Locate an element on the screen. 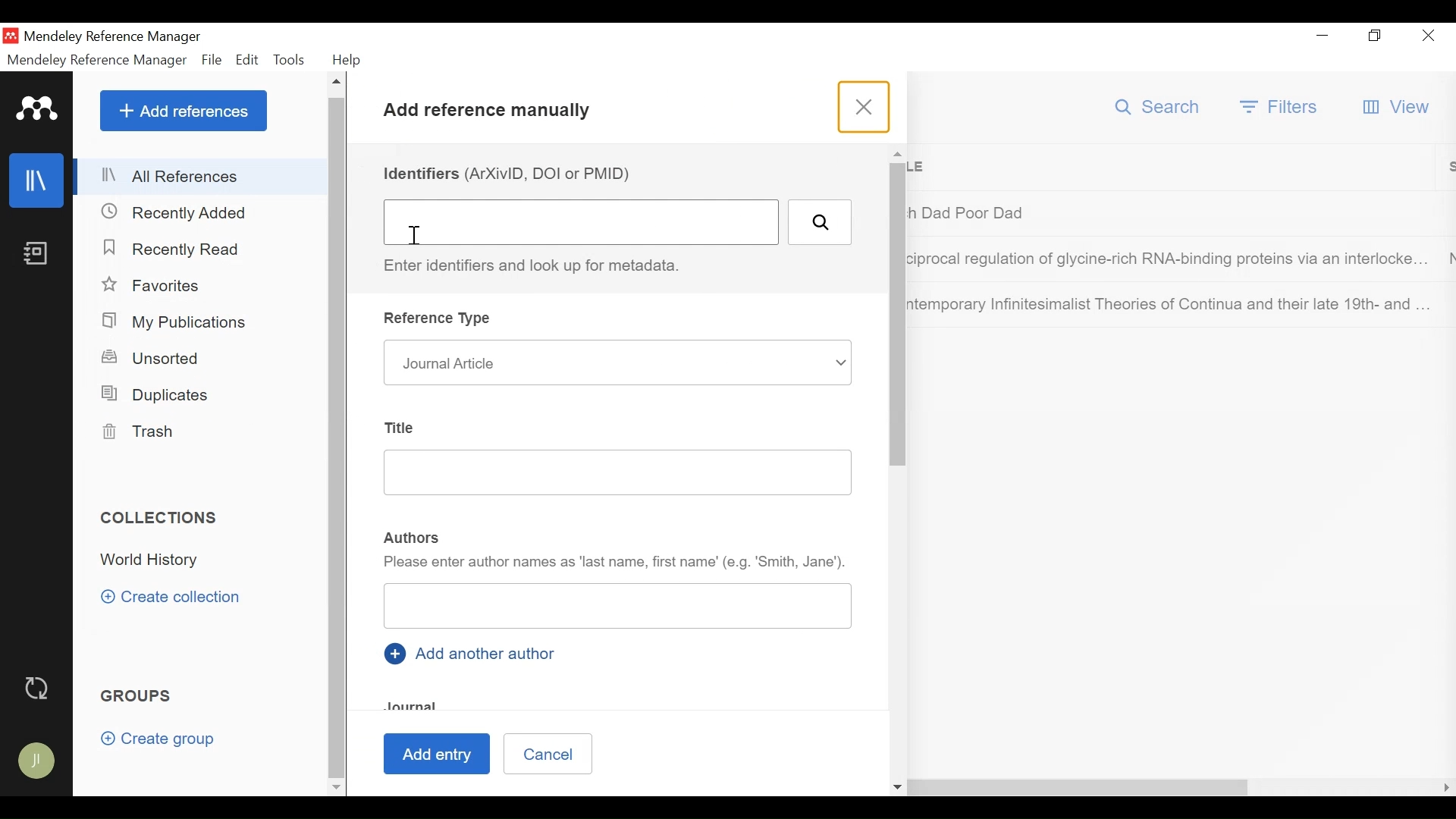 The width and height of the screenshot is (1456, 819). Authors is located at coordinates (413, 538).